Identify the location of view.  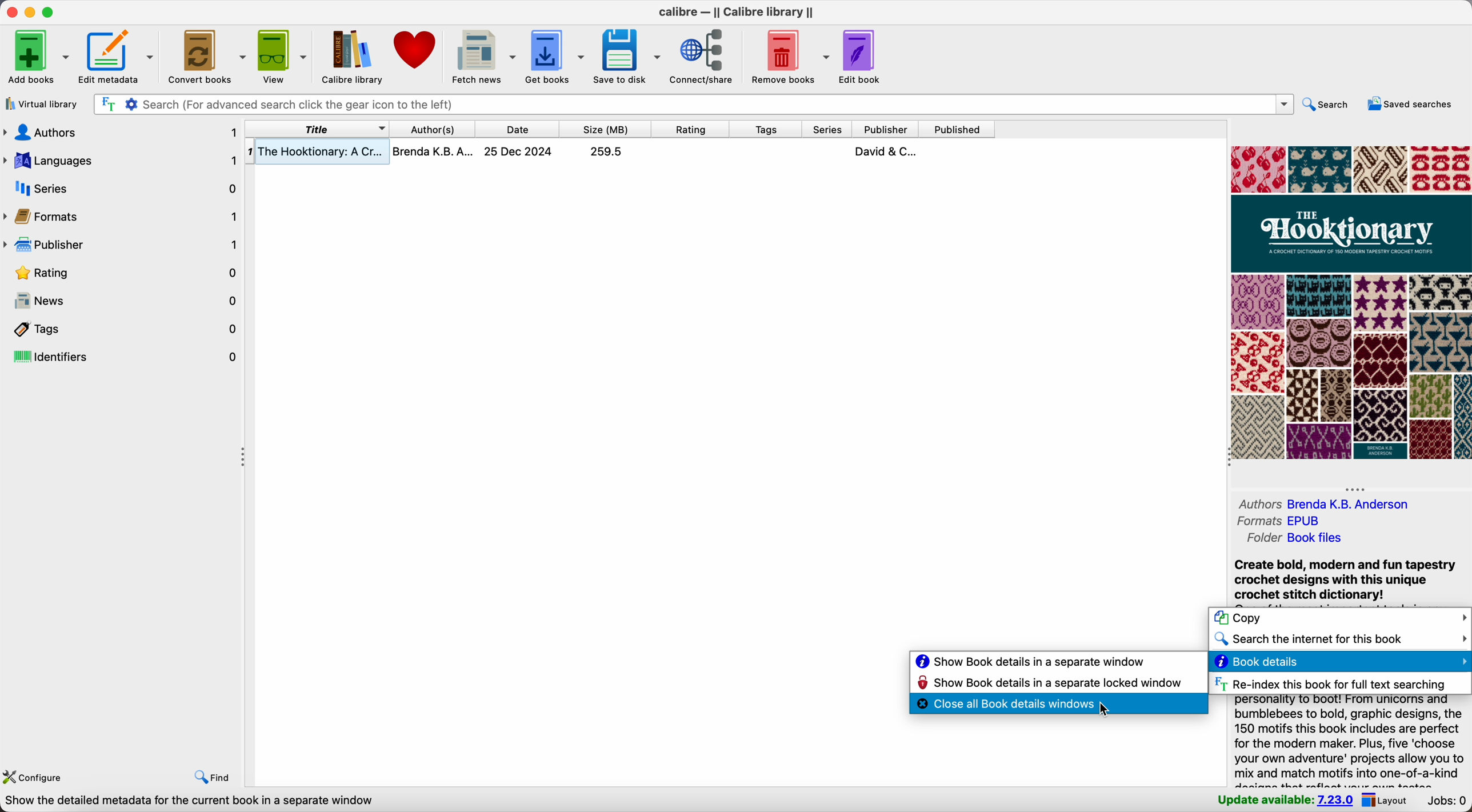
(282, 55).